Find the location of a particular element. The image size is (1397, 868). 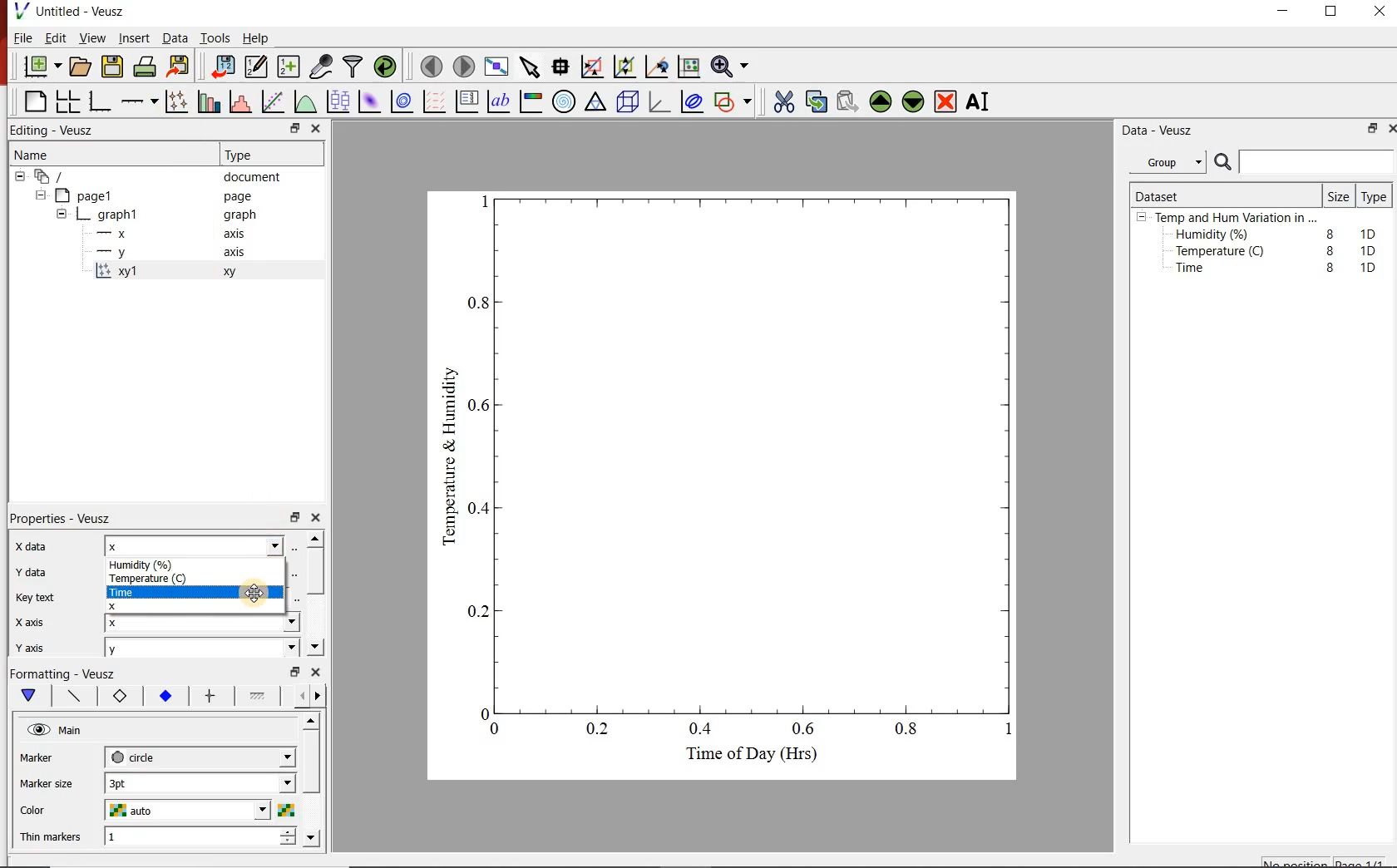

x axis is located at coordinates (40, 621).